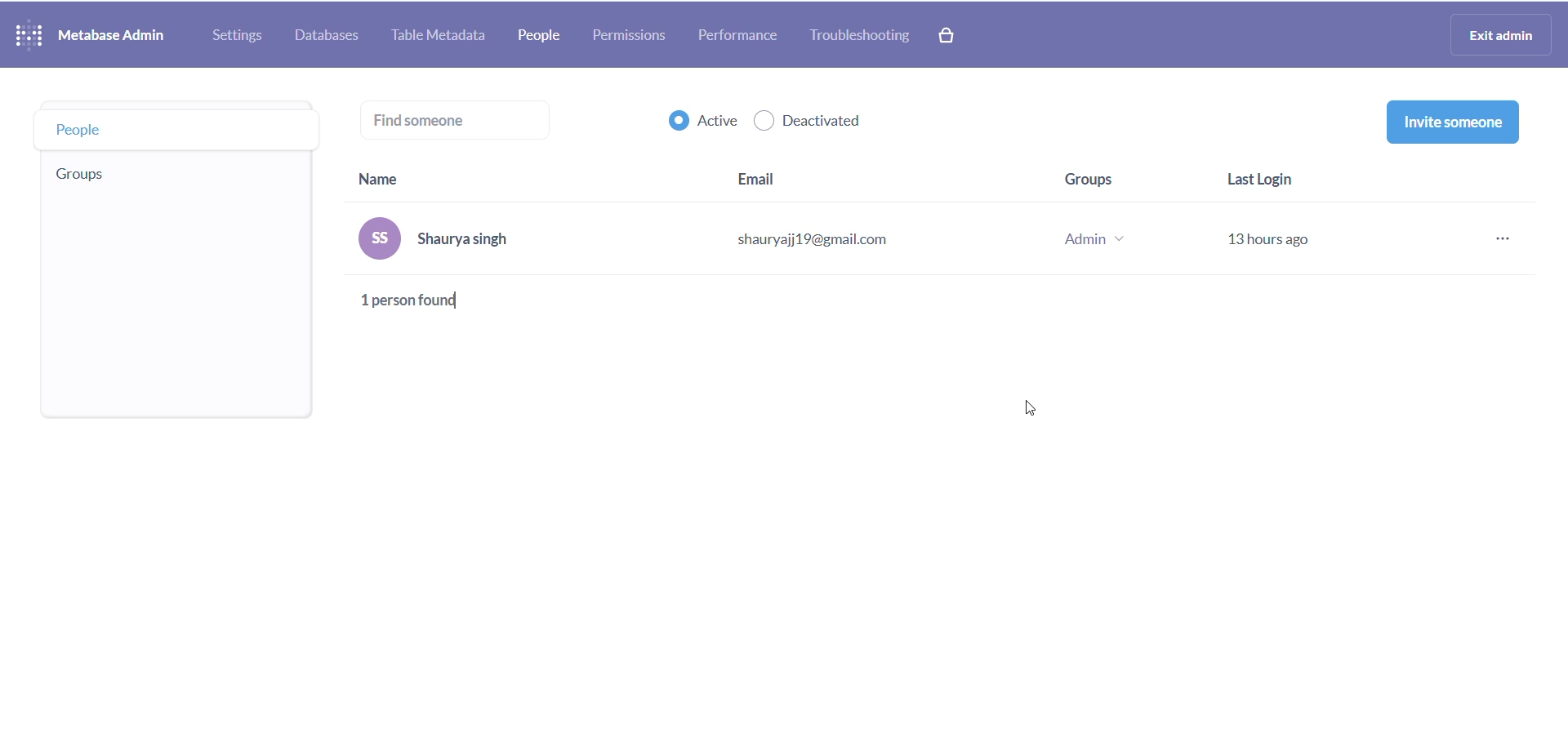 The height and width of the screenshot is (743, 1568). Describe the element at coordinates (1265, 242) in the screenshot. I see `last login stats` at that location.